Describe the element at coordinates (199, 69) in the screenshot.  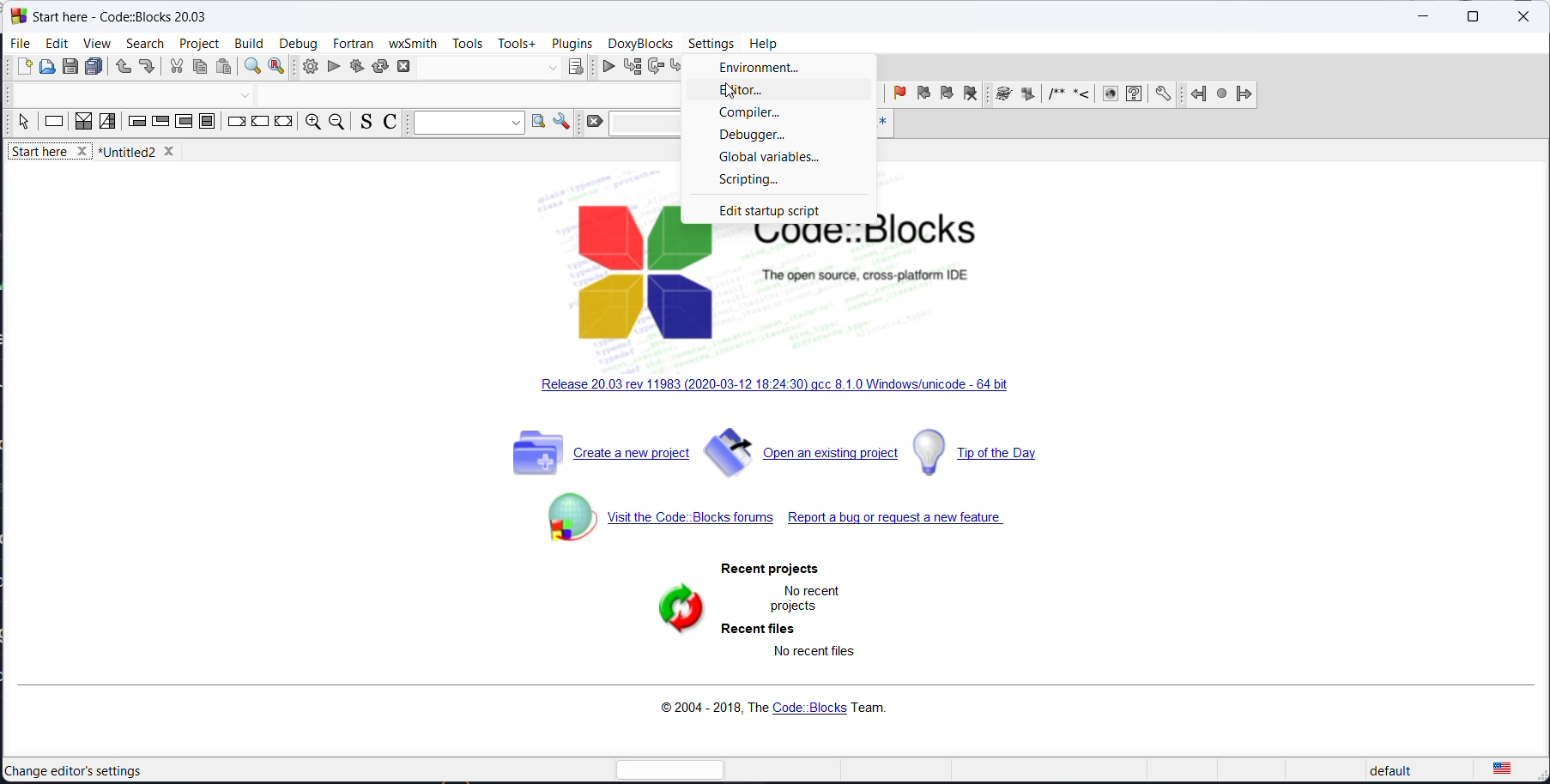
I see `copy` at that location.